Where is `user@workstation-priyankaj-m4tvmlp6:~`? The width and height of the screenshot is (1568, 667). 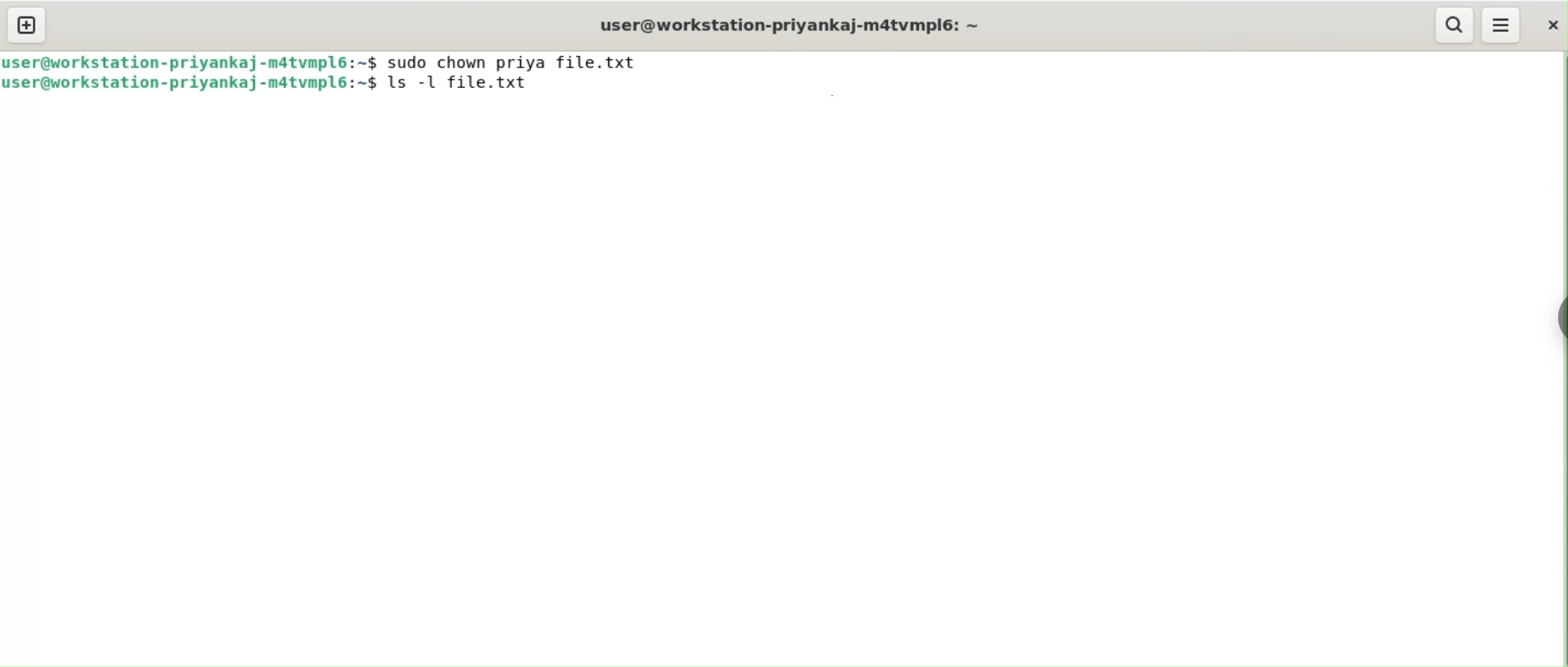 user@workstation-priyankaj-m4tvmlp6:~ is located at coordinates (787, 25).